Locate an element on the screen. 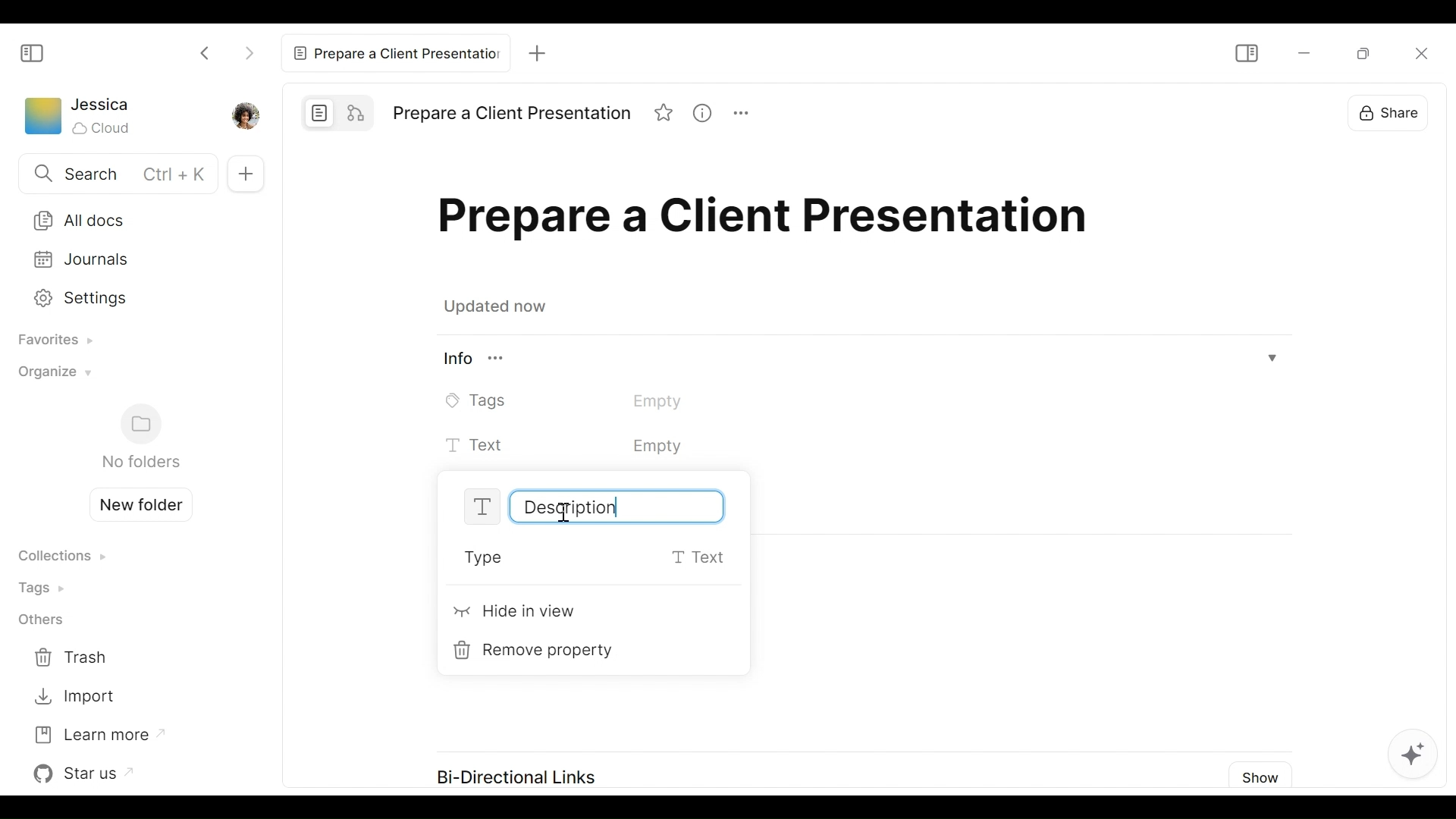 The height and width of the screenshot is (819, 1456). Create new folder is located at coordinates (135, 503).